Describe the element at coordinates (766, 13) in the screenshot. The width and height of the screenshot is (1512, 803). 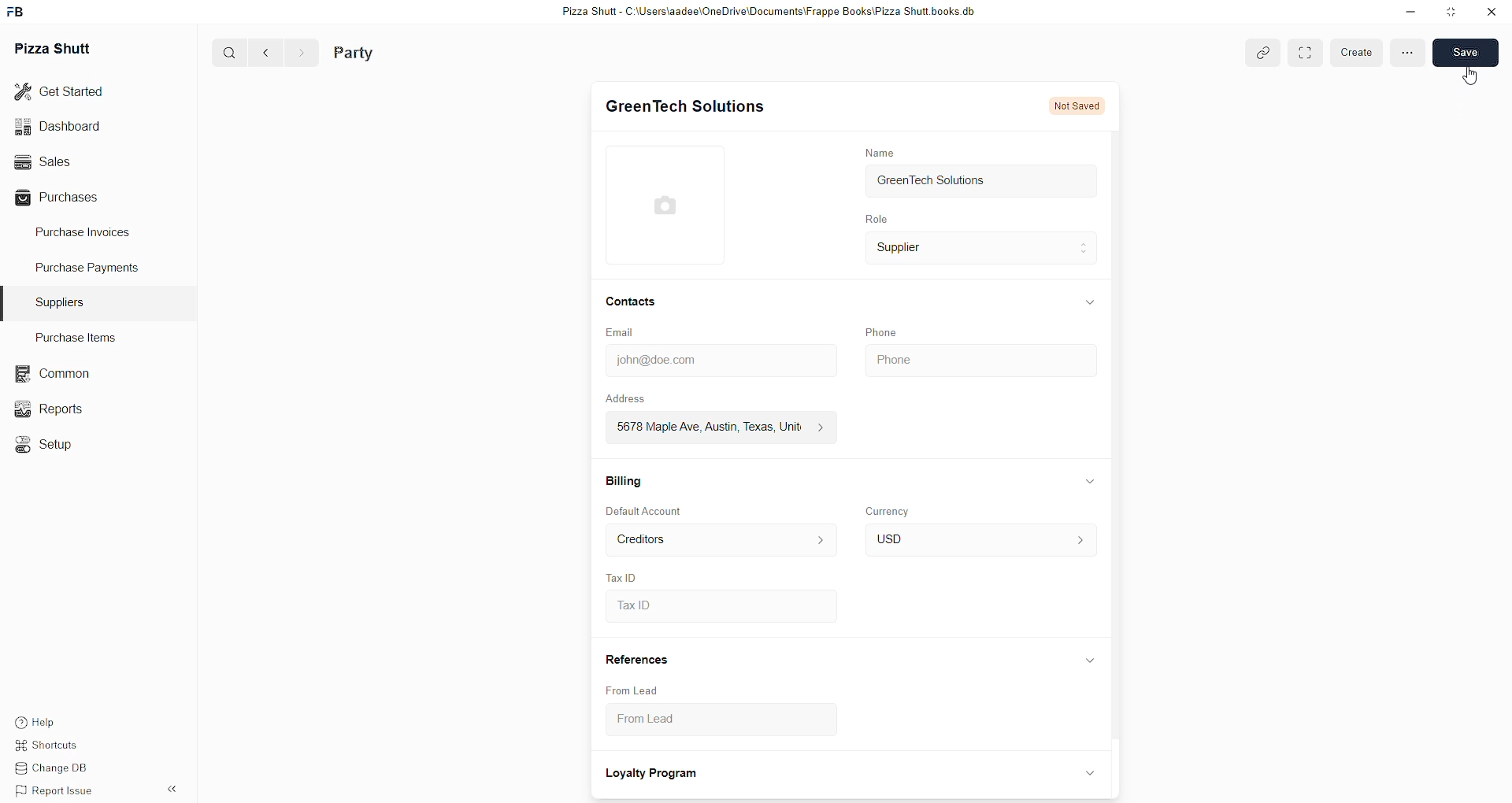
I see `Pizza Shutt - C:\Users\aadee\OneDrive\Documents\Frappe Books\Pizza Shutt books.db` at that location.